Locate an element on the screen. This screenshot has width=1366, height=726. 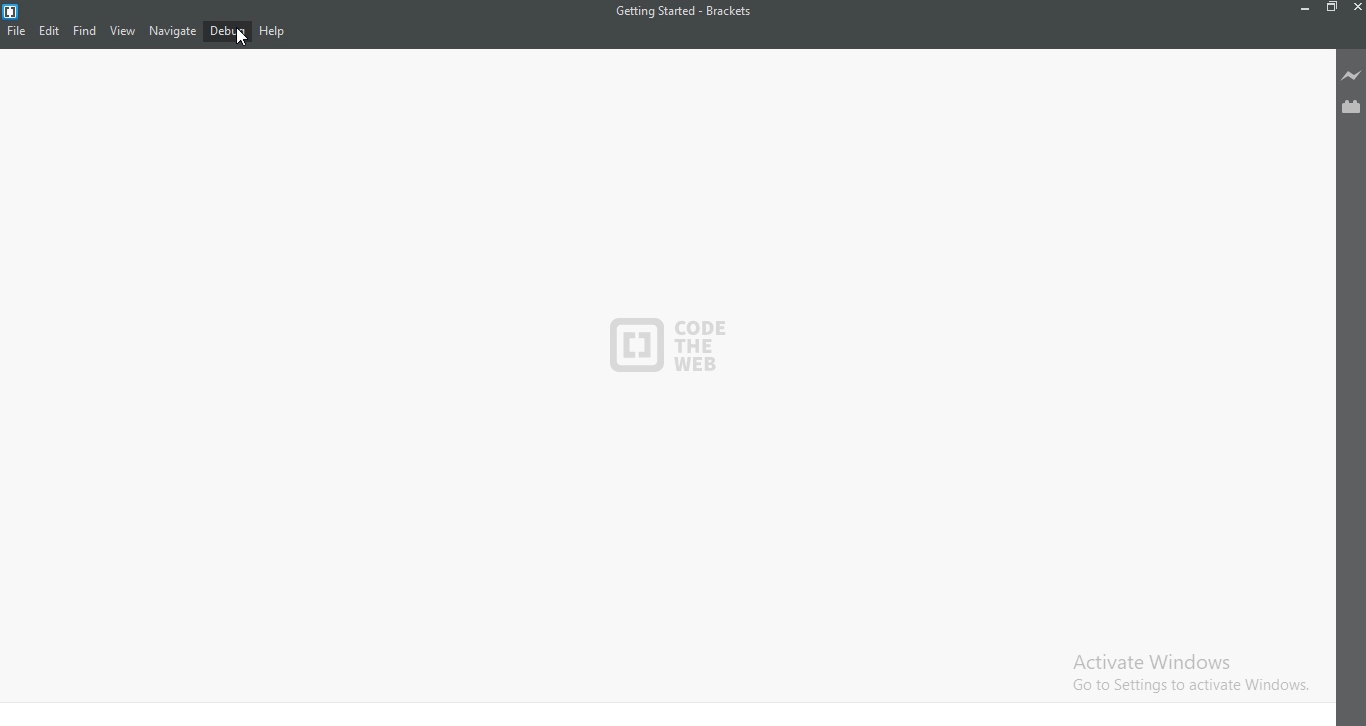
code the web is located at coordinates (673, 352).